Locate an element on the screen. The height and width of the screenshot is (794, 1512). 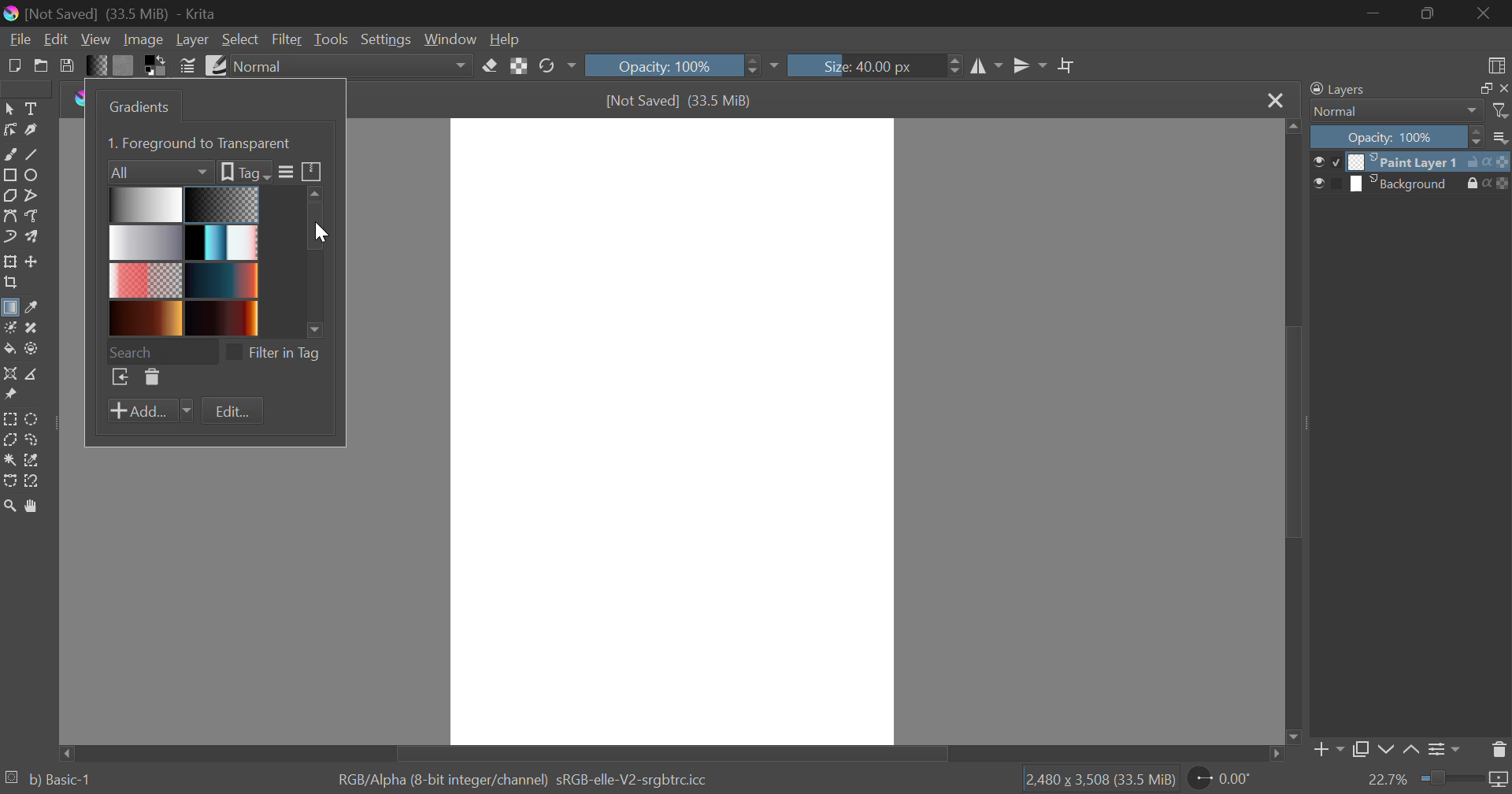
Freehand Path Tool is located at coordinates (35, 217).